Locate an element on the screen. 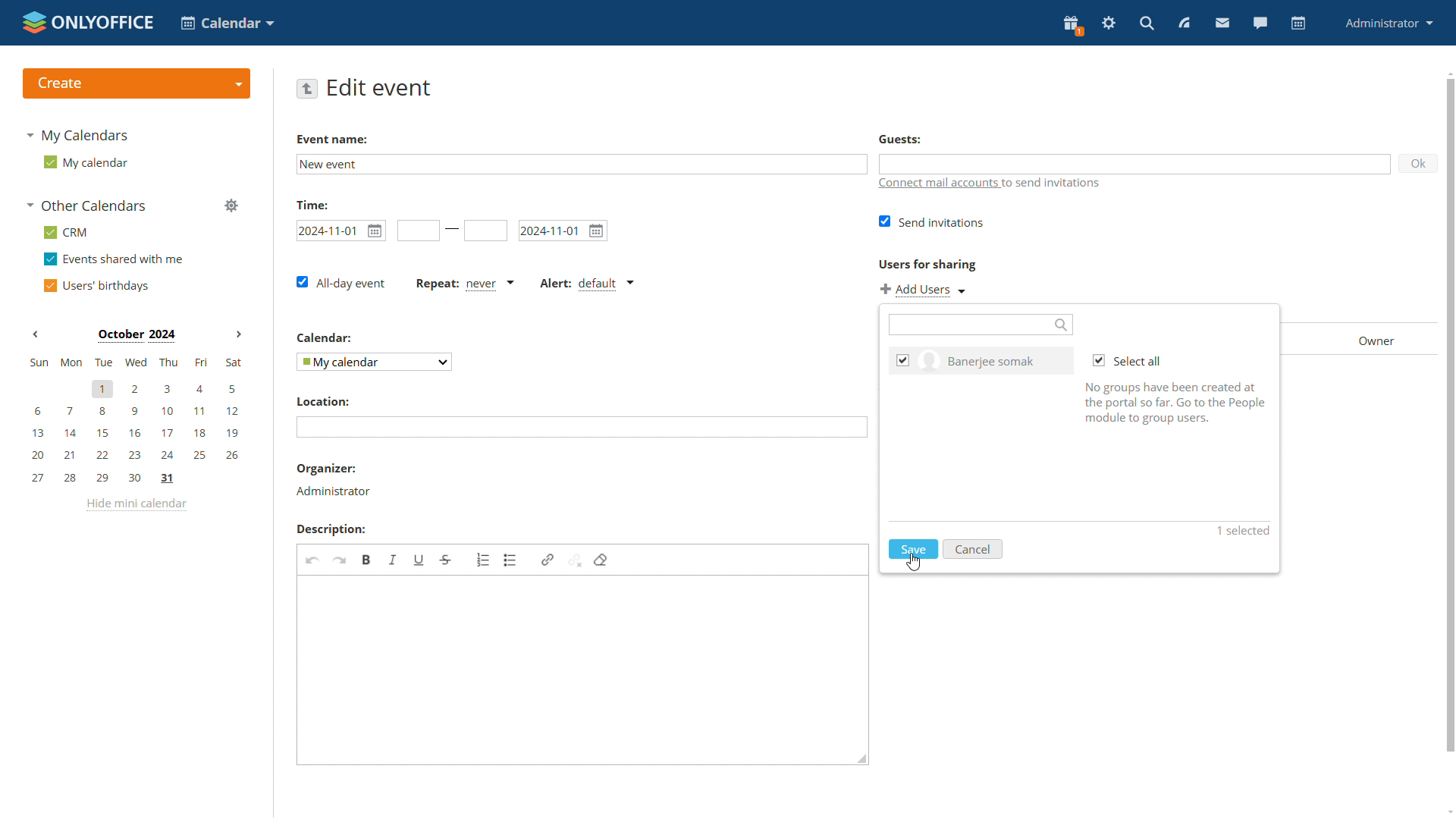 The height and width of the screenshot is (819, 1456). edit event is located at coordinates (381, 88).